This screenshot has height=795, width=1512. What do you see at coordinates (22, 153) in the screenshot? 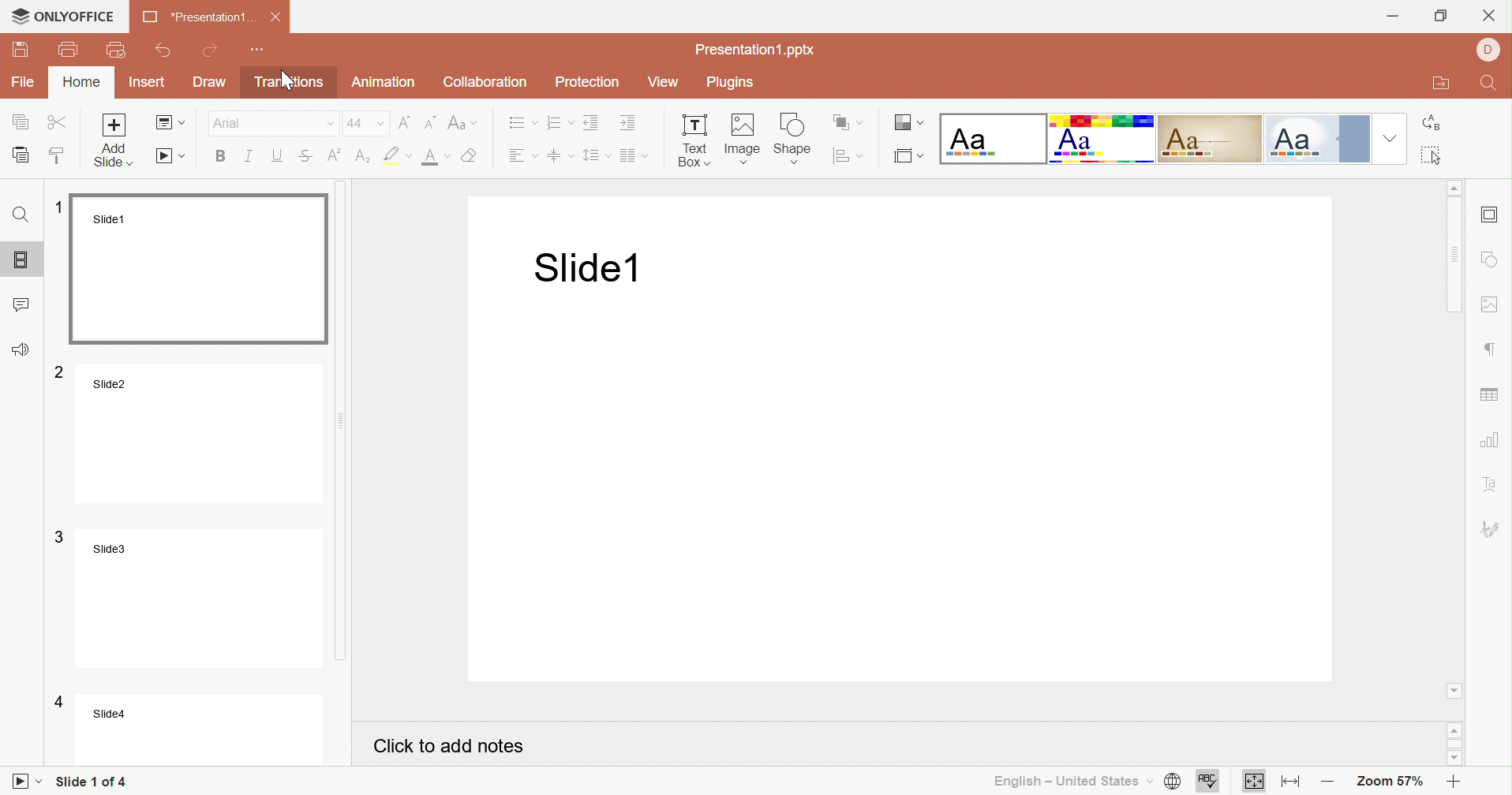
I see `Paste` at bounding box center [22, 153].